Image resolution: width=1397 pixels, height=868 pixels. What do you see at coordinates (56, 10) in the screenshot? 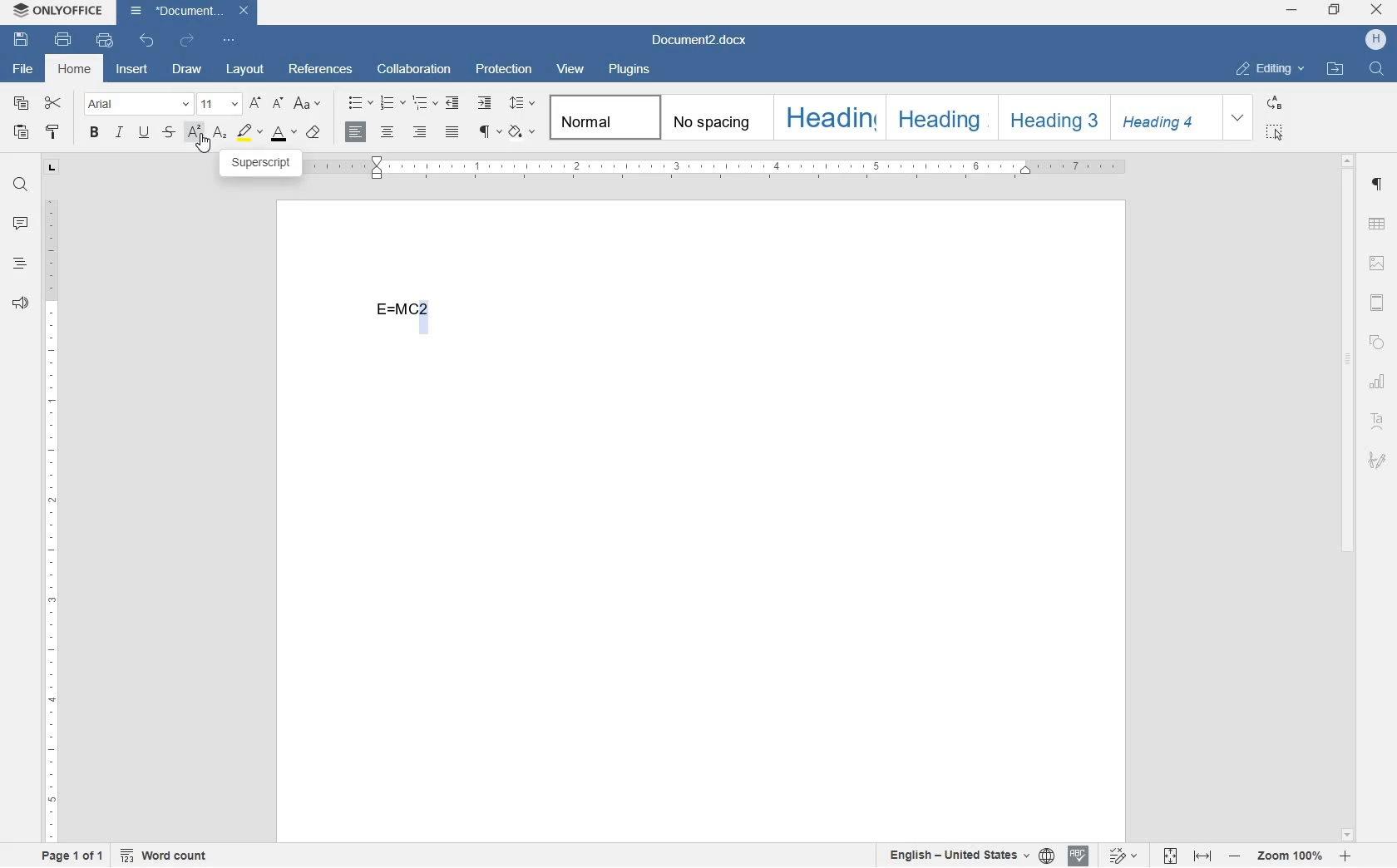
I see `system name` at bounding box center [56, 10].